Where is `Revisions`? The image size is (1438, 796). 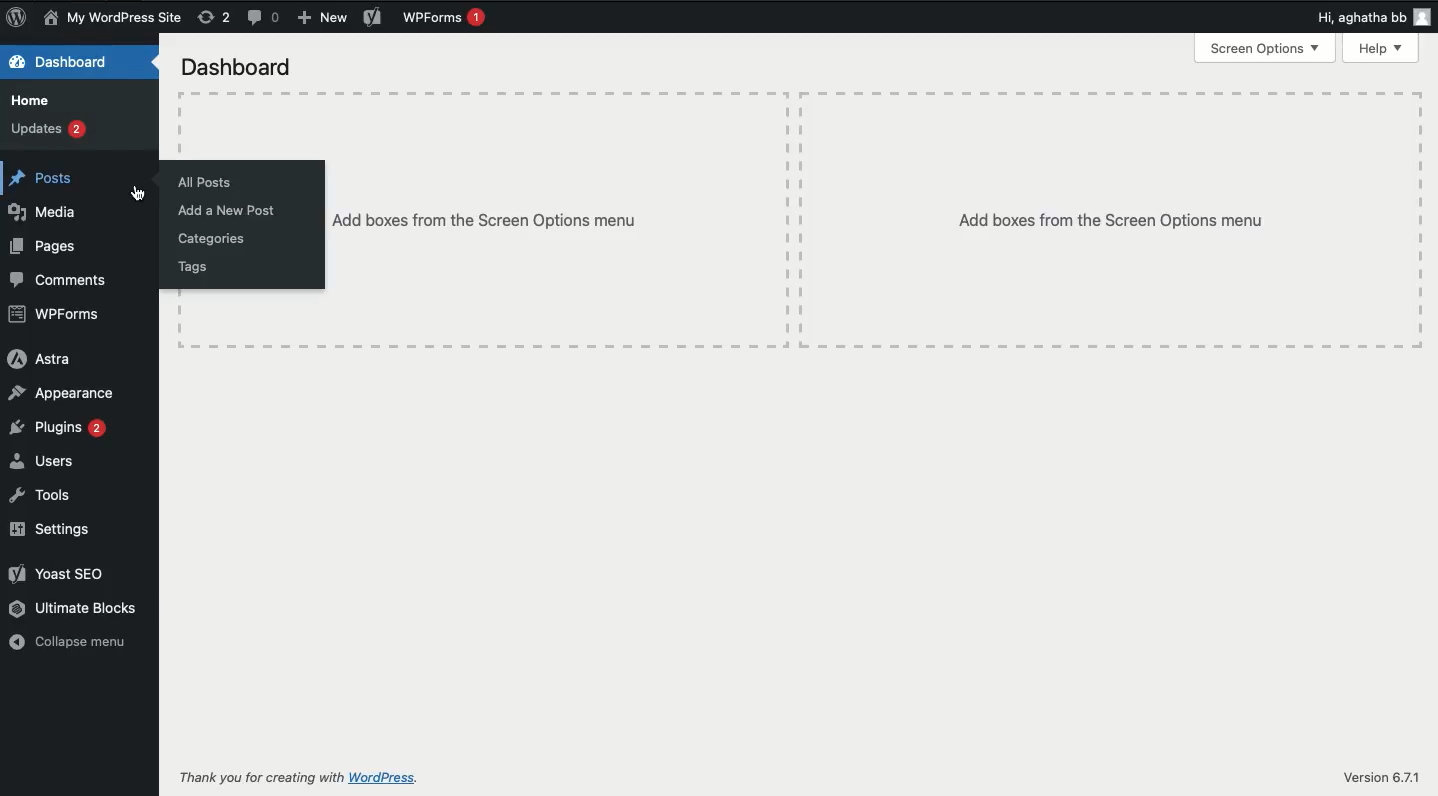
Revisions is located at coordinates (215, 18).